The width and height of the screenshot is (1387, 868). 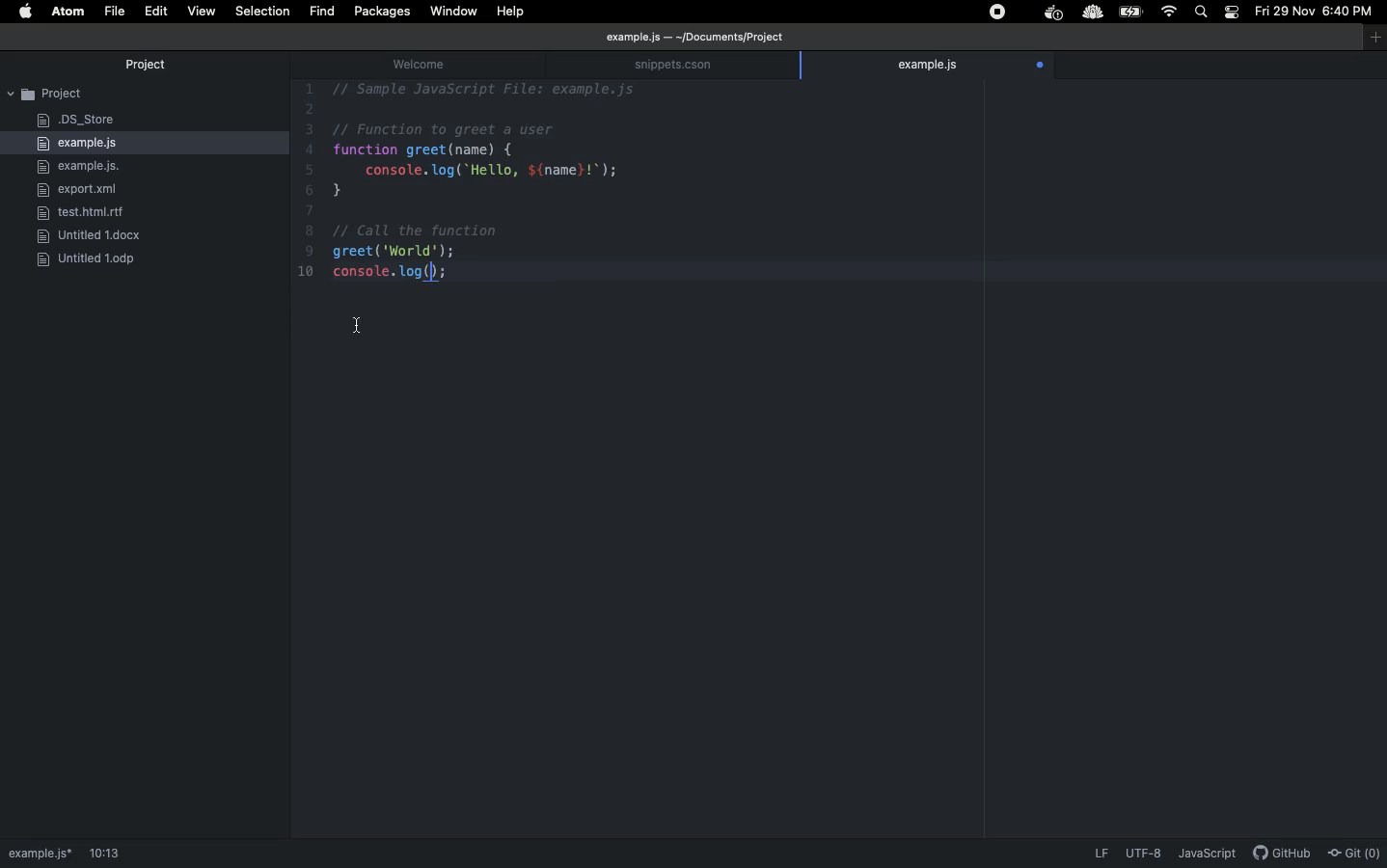 I want to click on Time, so click(x=1352, y=14).